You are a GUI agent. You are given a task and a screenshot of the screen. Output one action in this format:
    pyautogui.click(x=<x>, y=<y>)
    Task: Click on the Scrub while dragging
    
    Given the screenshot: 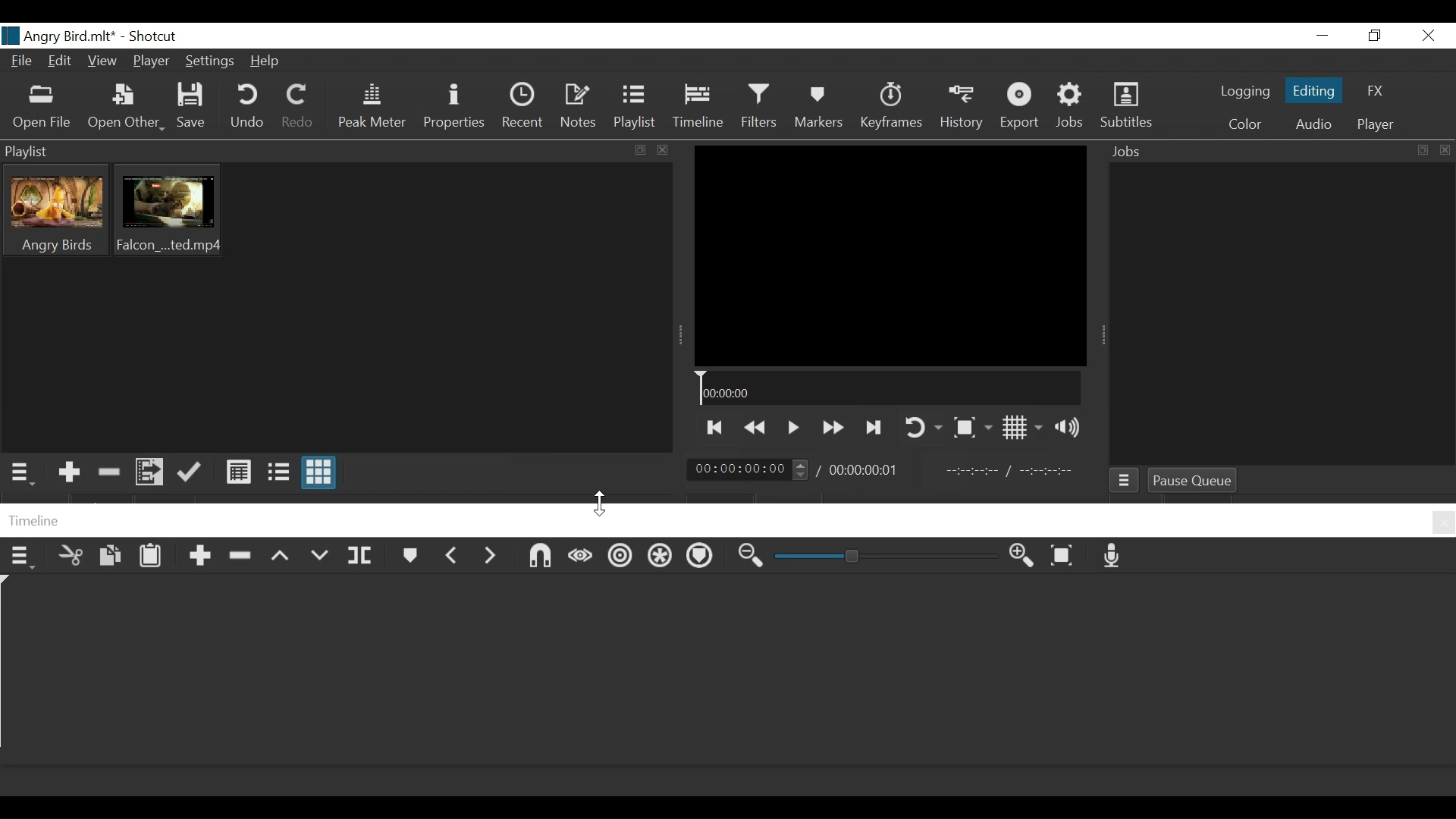 What is the action you would take?
    pyautogui.click(x=582, y=560)
    